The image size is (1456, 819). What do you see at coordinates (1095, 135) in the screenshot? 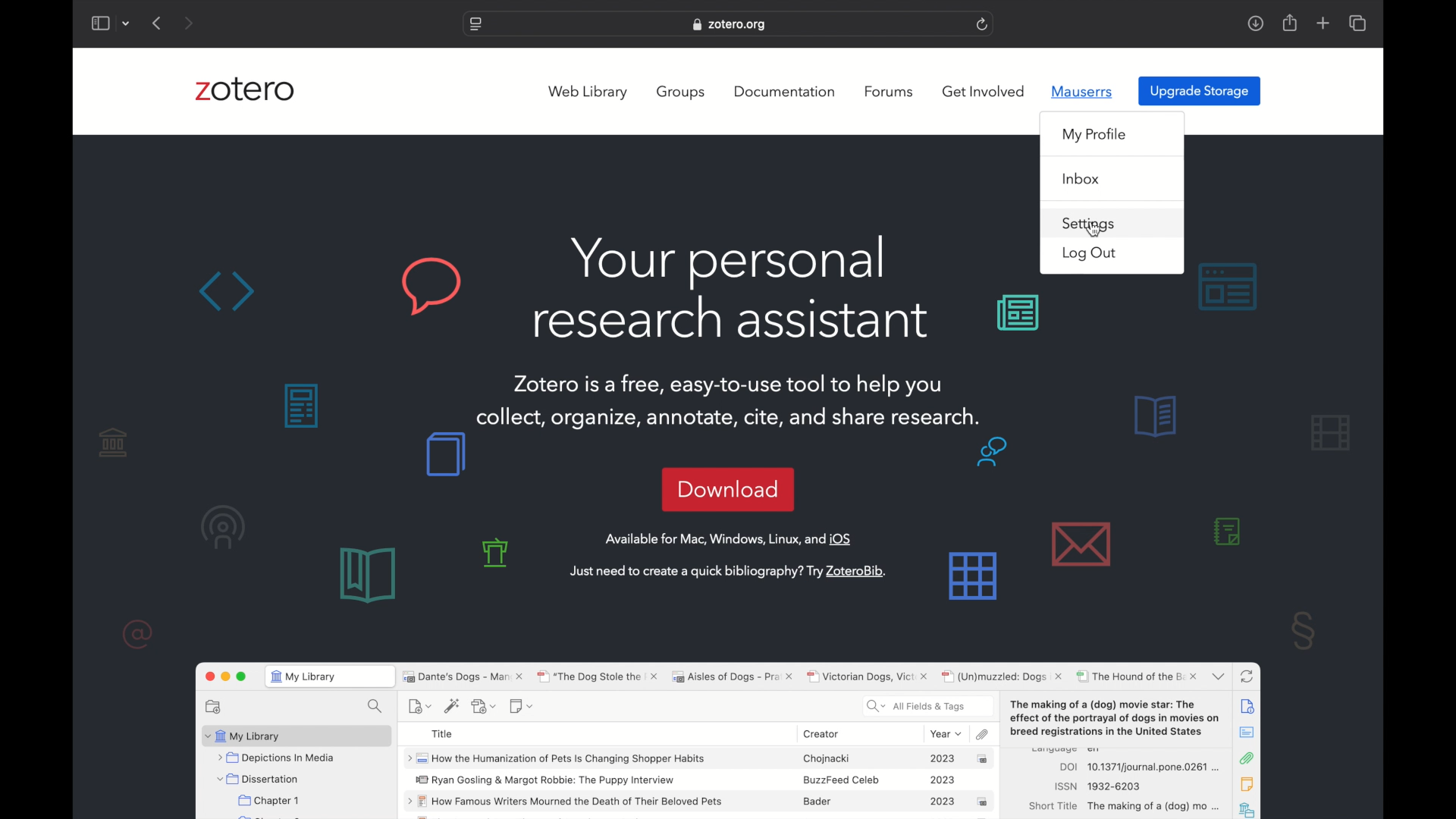
I see `my profile` at bounding box center [1095, 135].